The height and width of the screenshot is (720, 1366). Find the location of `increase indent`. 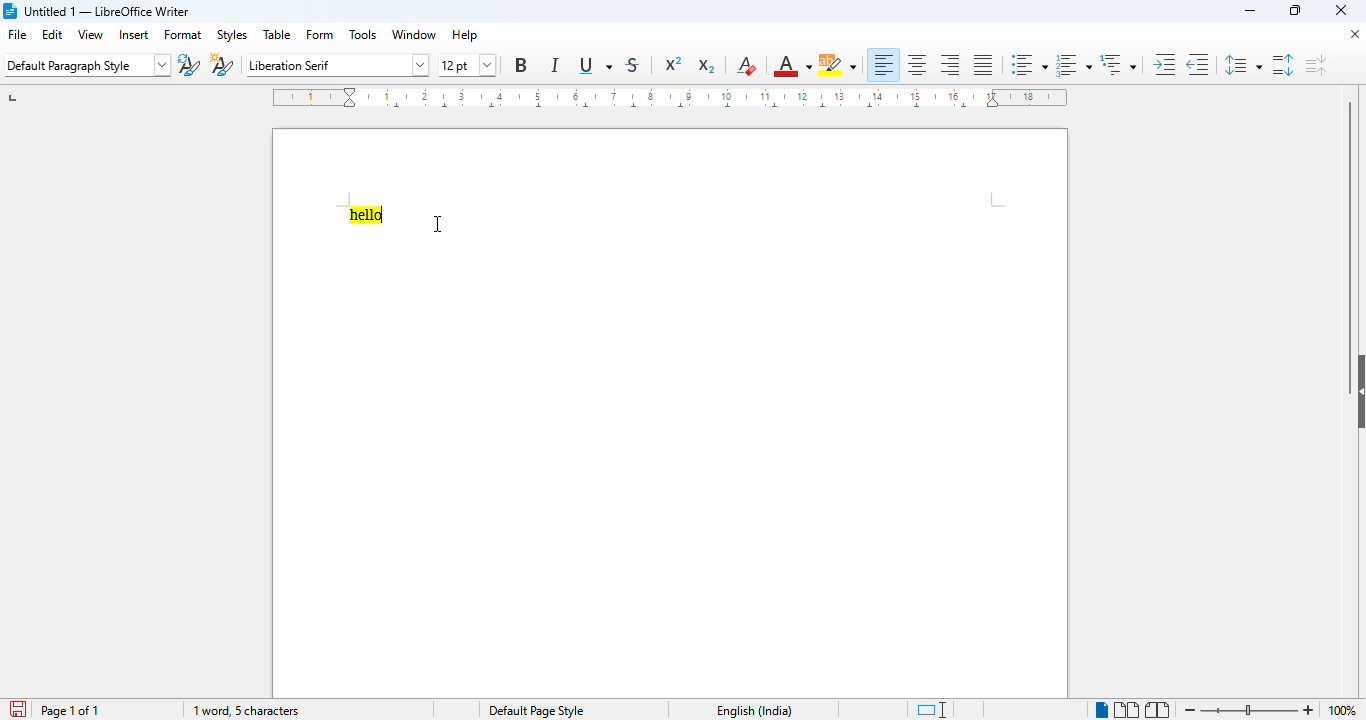

increase indent is located at coordinates (1163, 64).